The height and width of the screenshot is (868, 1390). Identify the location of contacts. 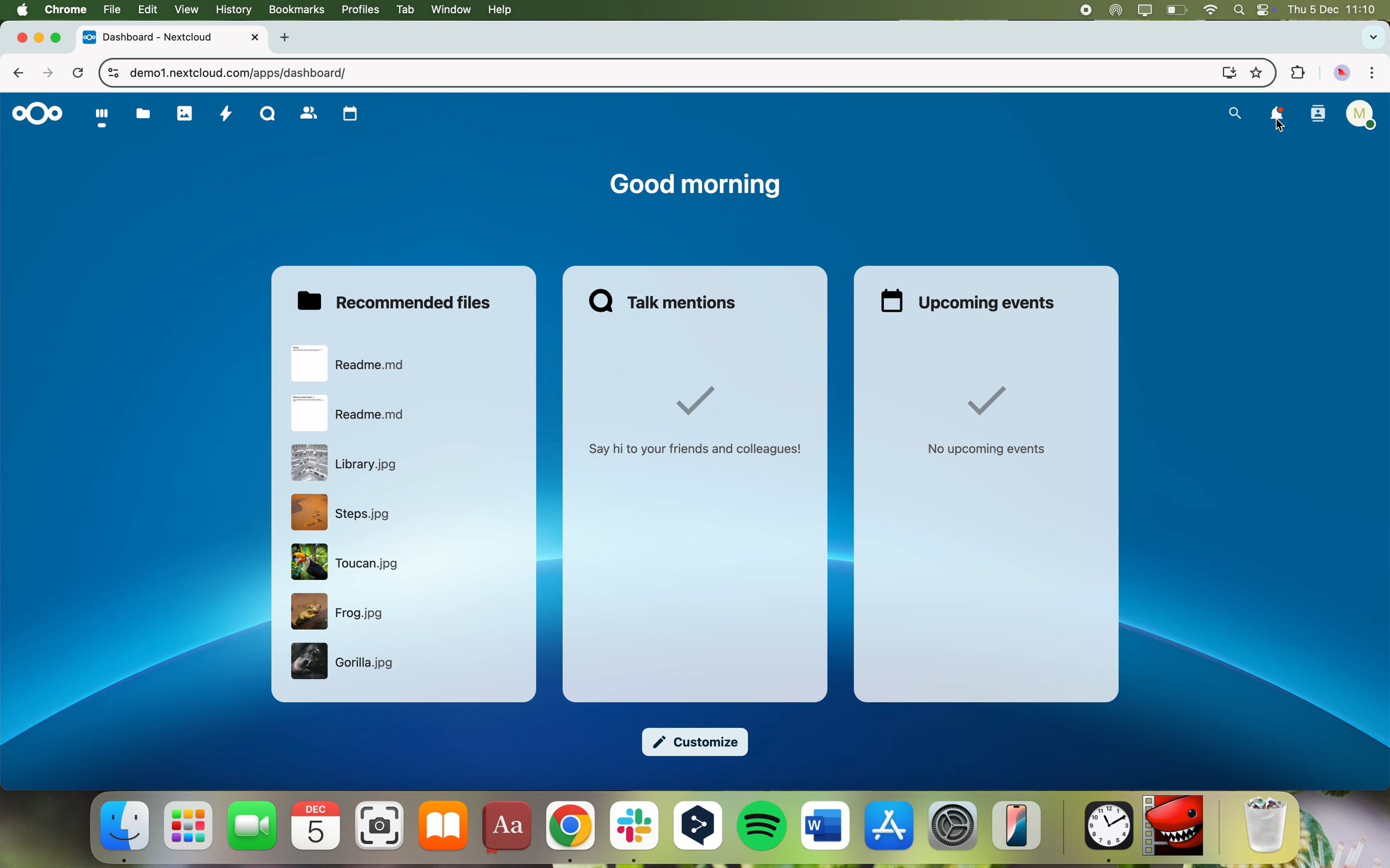
(1318, 115).